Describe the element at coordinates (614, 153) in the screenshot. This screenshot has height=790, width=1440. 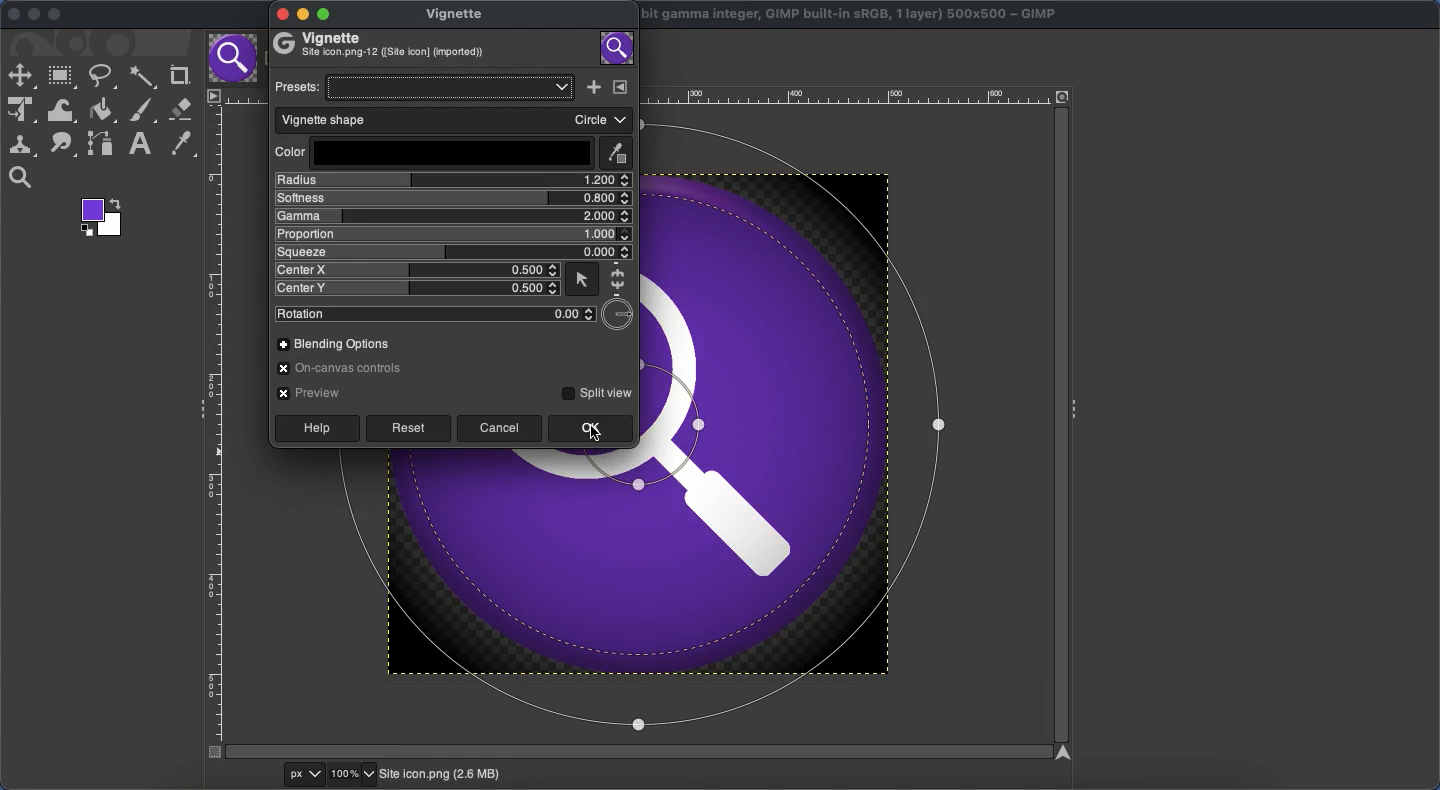
I see `Color picker` at that location.